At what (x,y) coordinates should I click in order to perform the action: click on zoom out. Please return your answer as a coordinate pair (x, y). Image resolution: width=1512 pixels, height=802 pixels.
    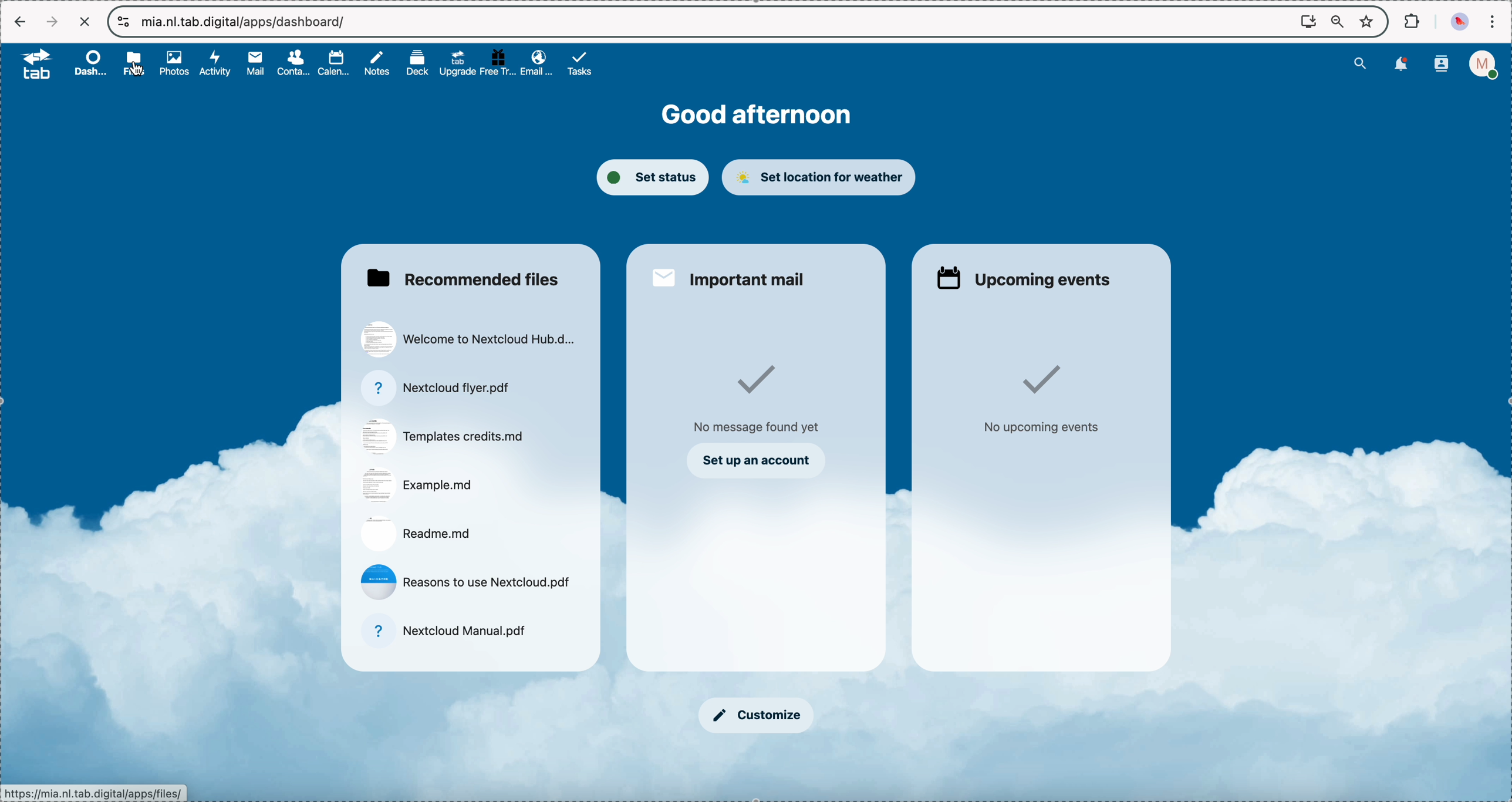
    Looking at the image, I should click on (1338, 22).